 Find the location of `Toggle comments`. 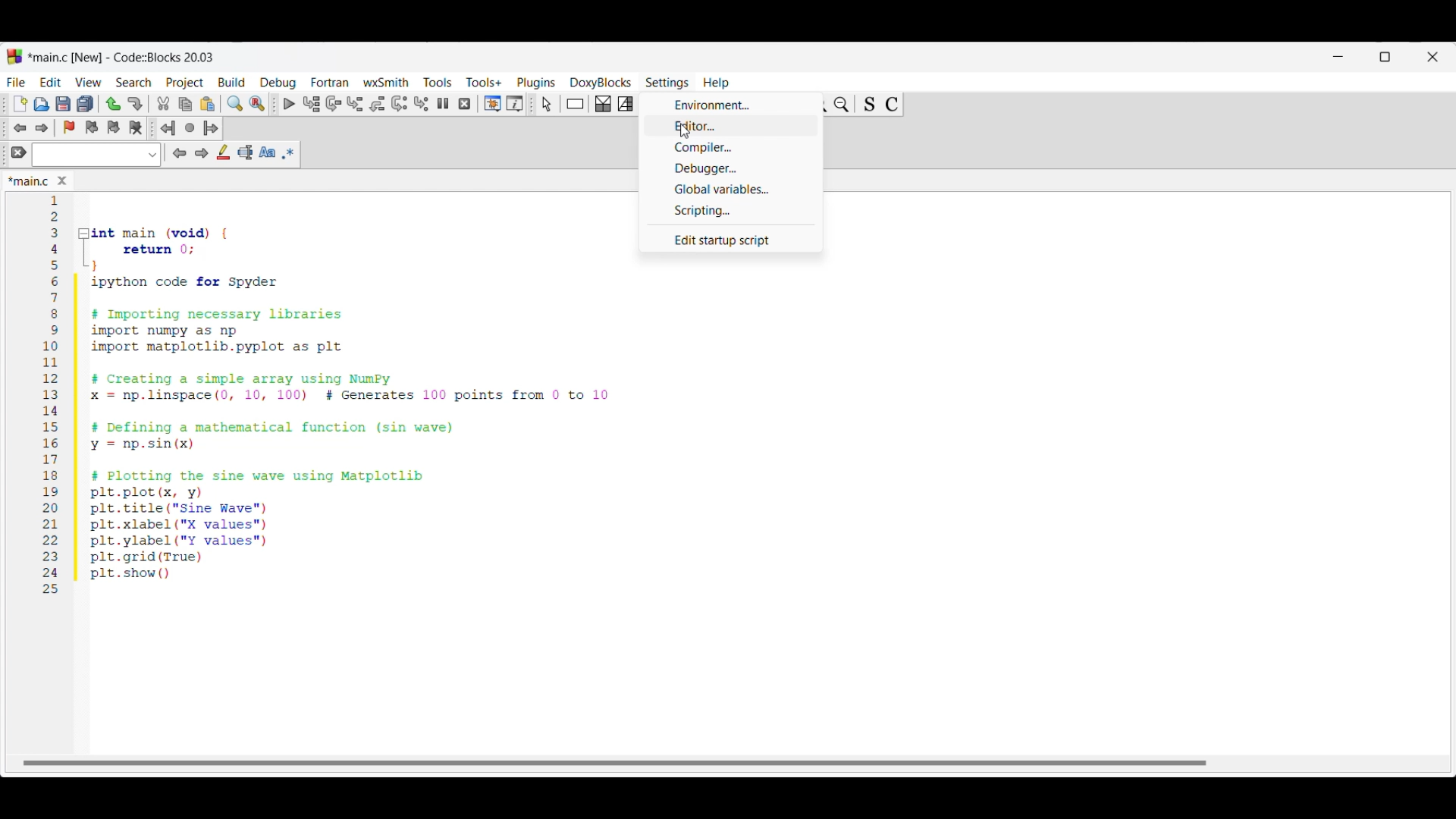

Toggle comments is located at coordinates (892, 105).